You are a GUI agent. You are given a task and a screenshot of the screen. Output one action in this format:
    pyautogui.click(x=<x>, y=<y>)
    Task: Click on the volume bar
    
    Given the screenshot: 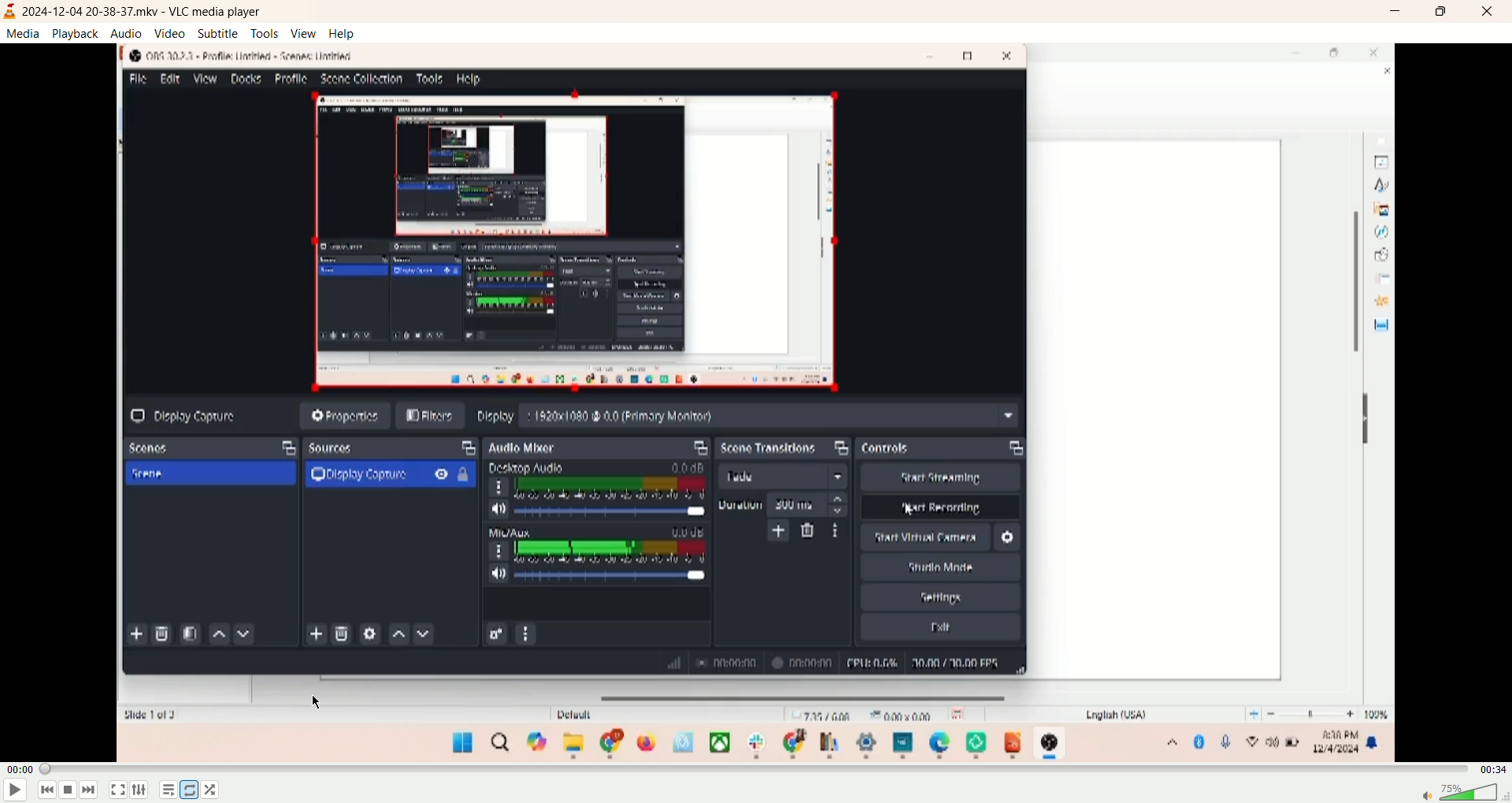 What is the action you would take?
    pyautogui.click(x=1476, y=790)
    